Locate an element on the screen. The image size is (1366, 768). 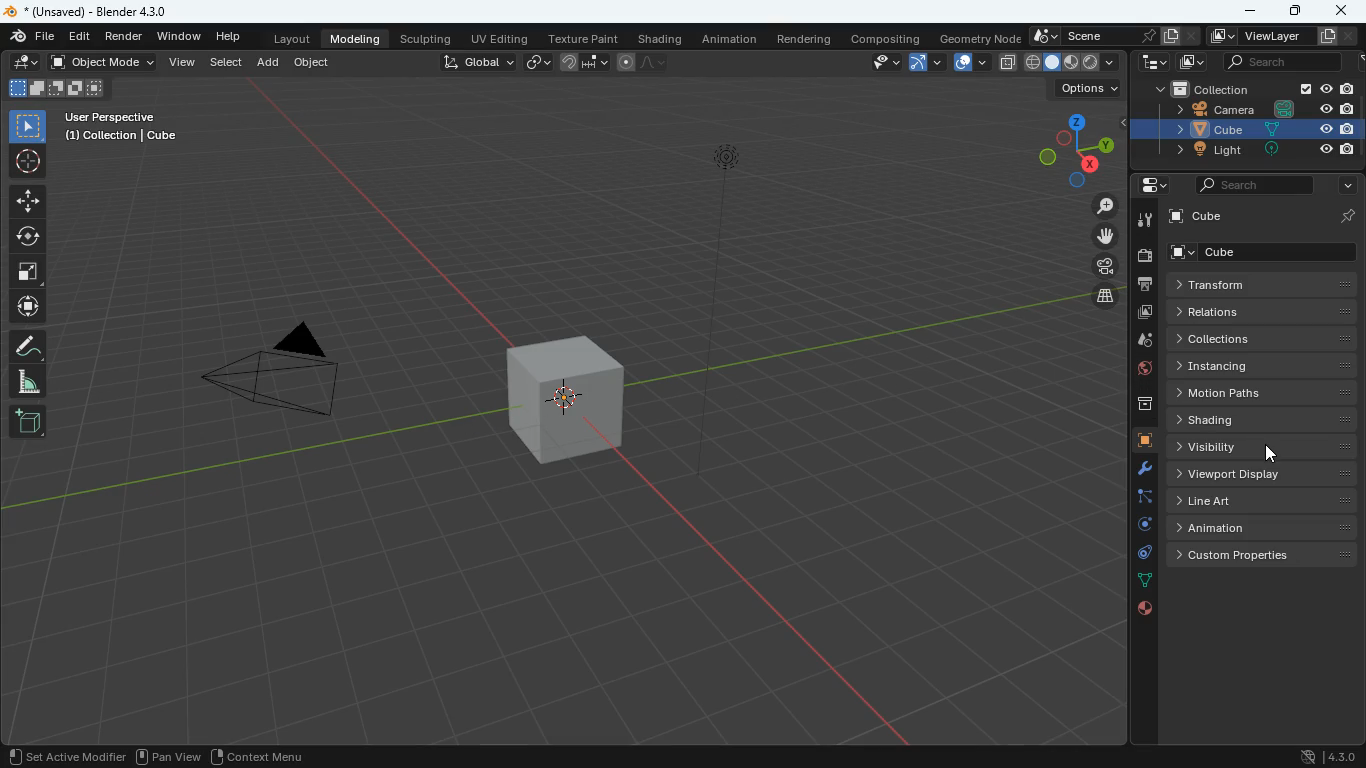
search is located at coordinates (1244, 185).